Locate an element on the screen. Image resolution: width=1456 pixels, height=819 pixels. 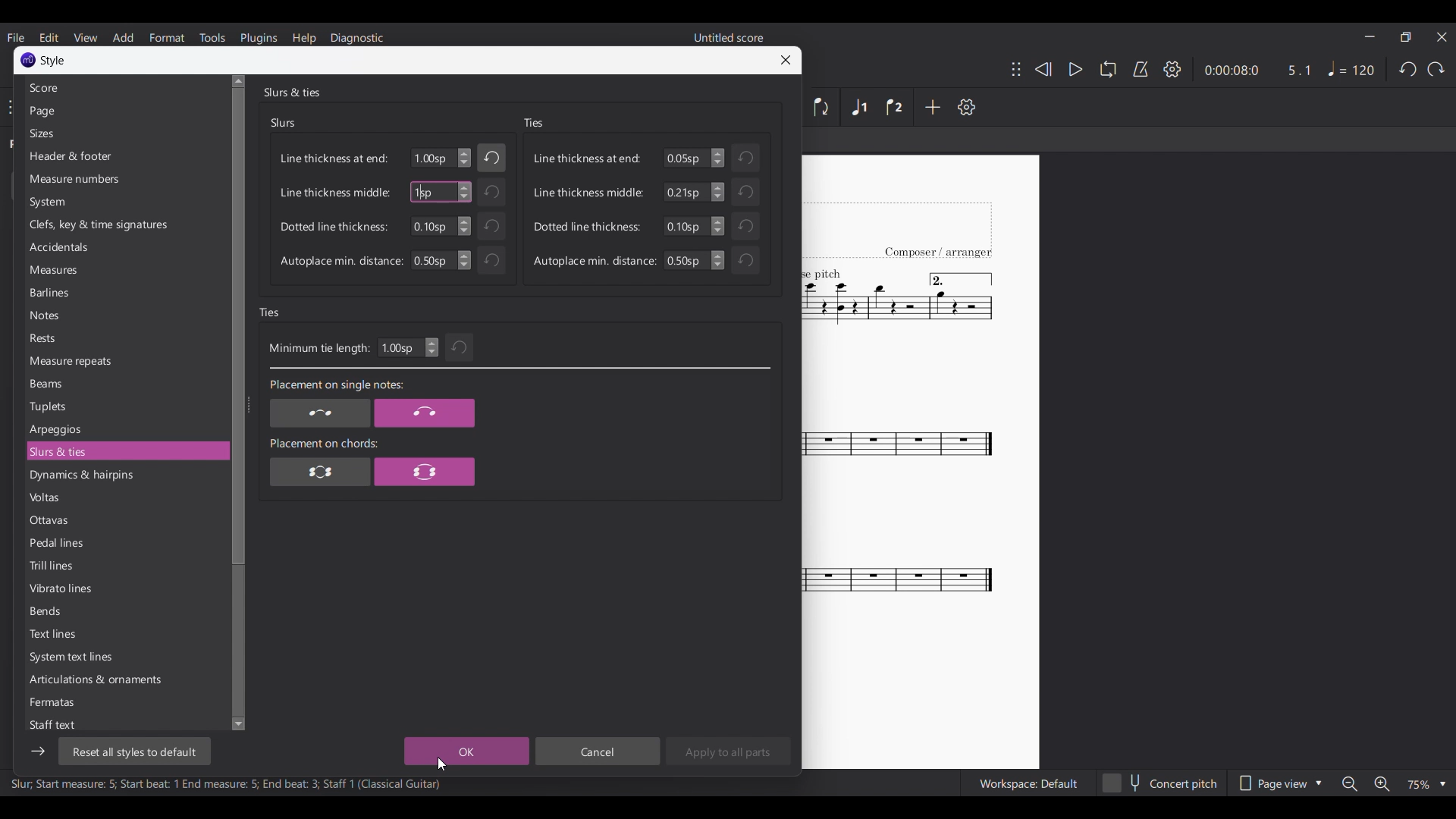
Undo is located at coordinates (460, 347).